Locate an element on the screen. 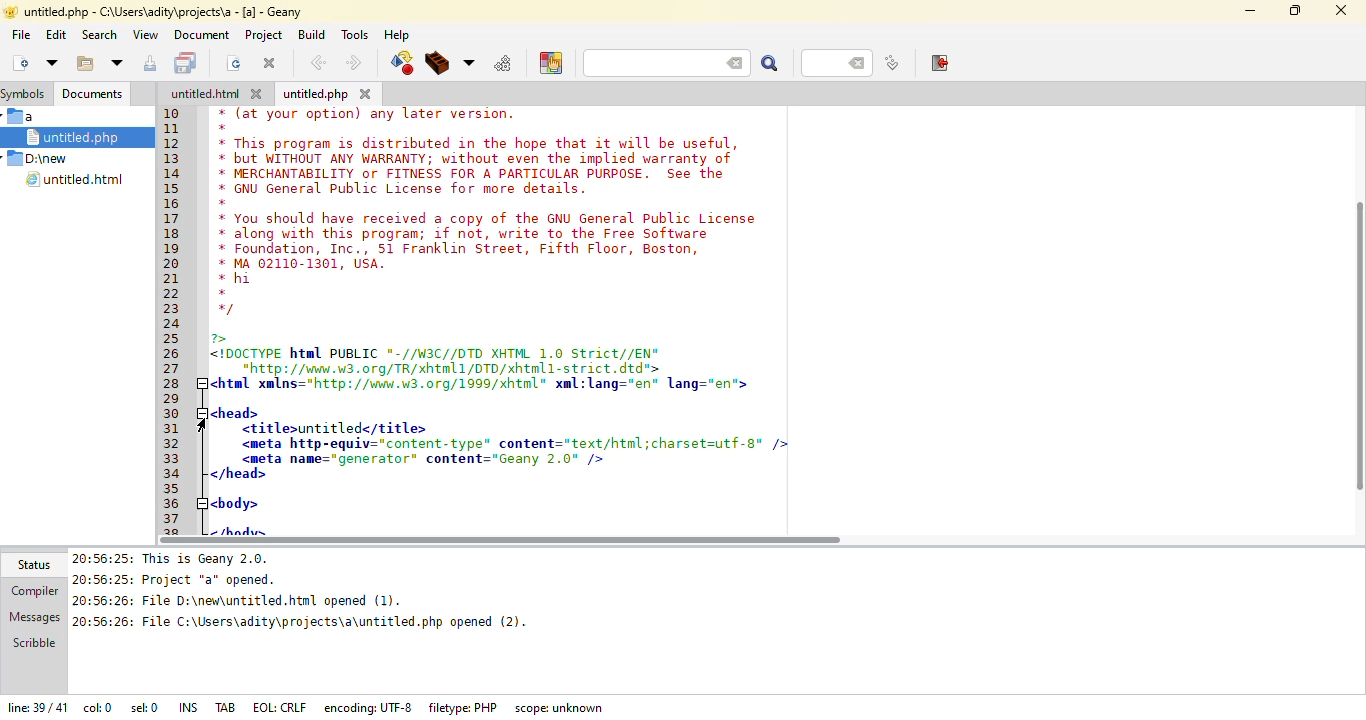  build is located at coordinates (312, 36).